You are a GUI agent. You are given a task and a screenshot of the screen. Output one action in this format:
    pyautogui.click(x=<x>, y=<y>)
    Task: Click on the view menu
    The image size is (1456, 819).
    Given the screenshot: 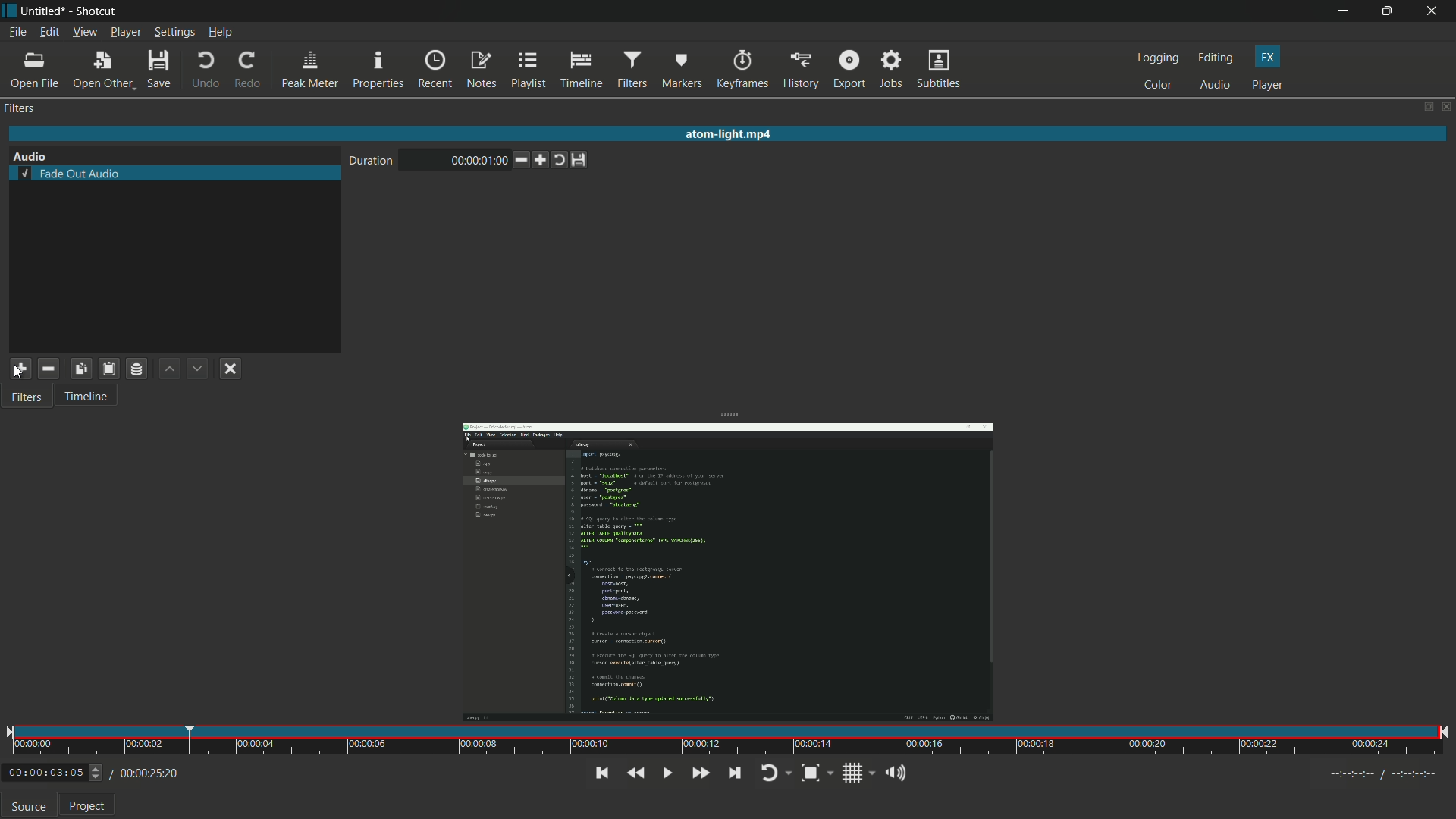 What is the action you would take?
    pyautogui.click(x=84, y=33)
    